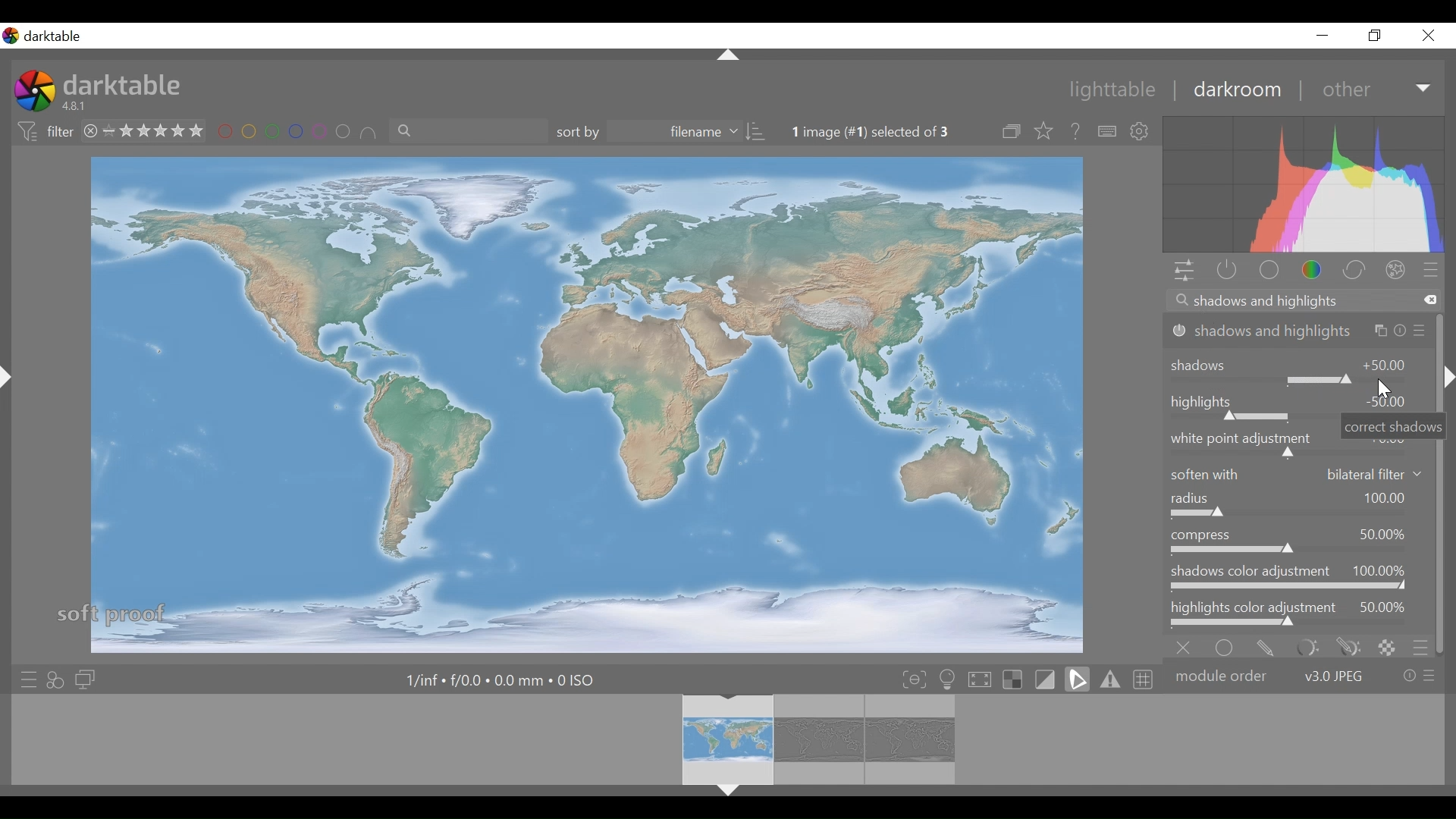 Image resolution: width=1456 pixels, height=819 pixels. I want to click on highlight color adjustments, so click(1299, 614).